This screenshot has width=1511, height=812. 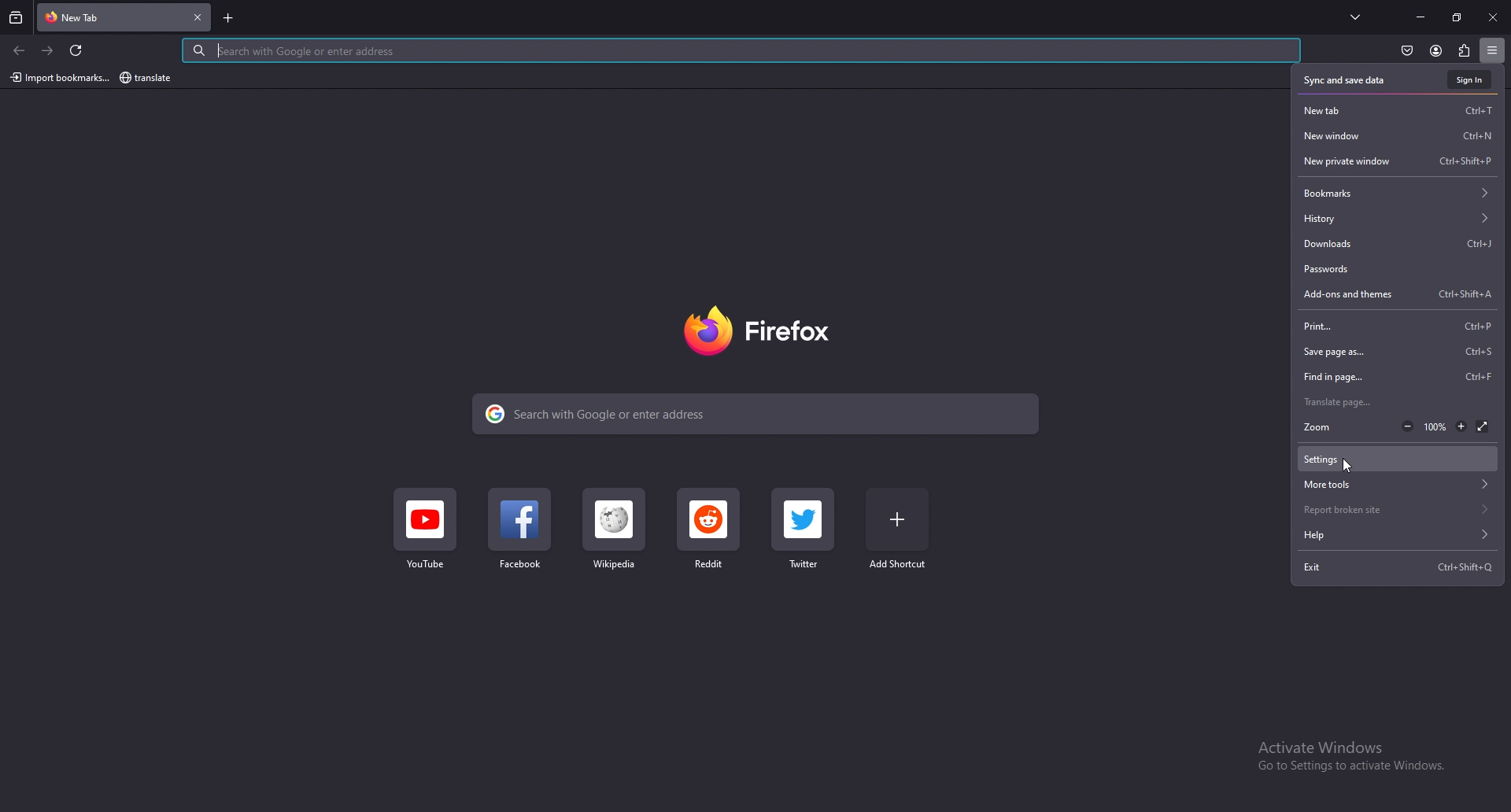 I want to click on more tools, so click(x=1397, y=484).